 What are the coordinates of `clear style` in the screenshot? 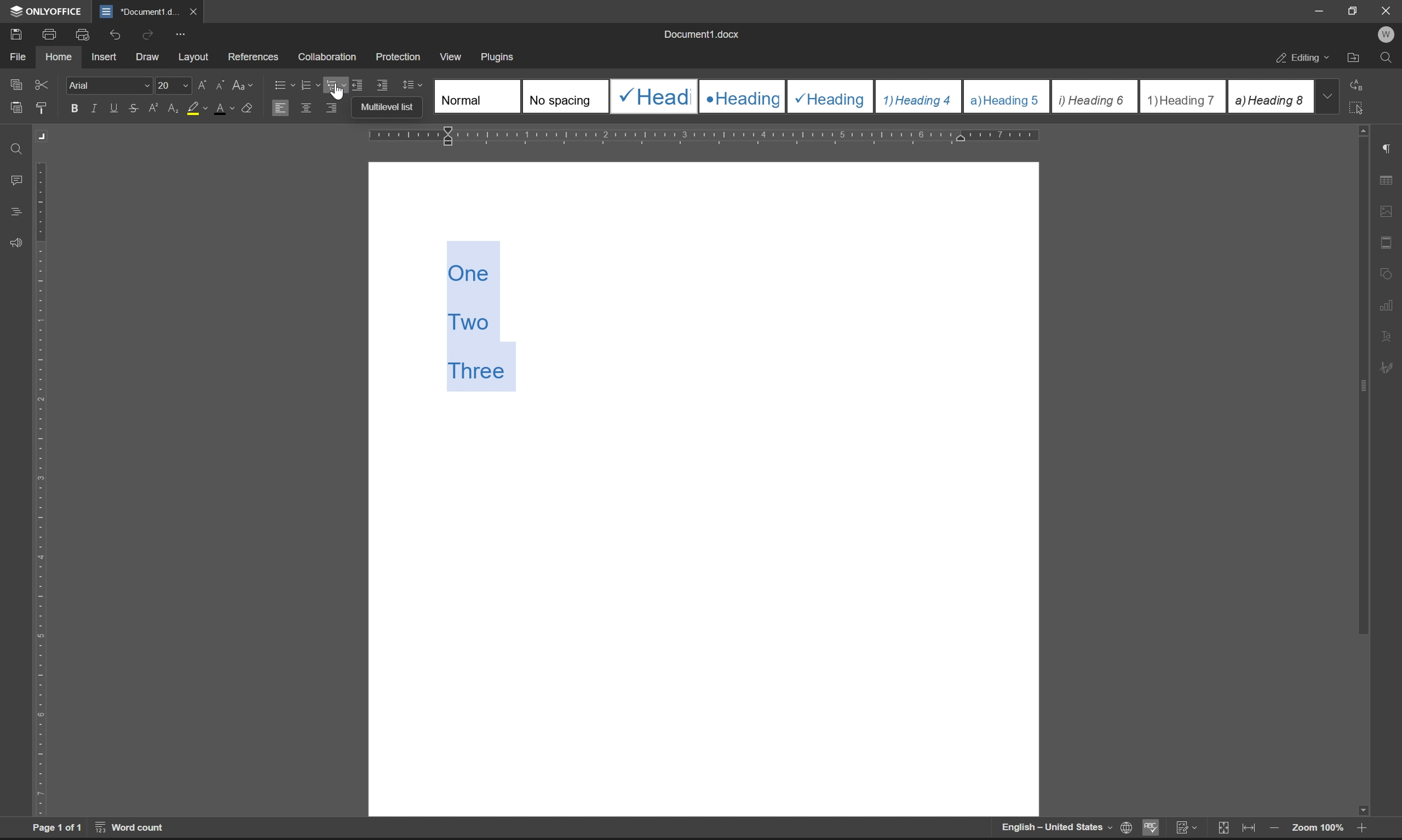 It's located at (248, 106).